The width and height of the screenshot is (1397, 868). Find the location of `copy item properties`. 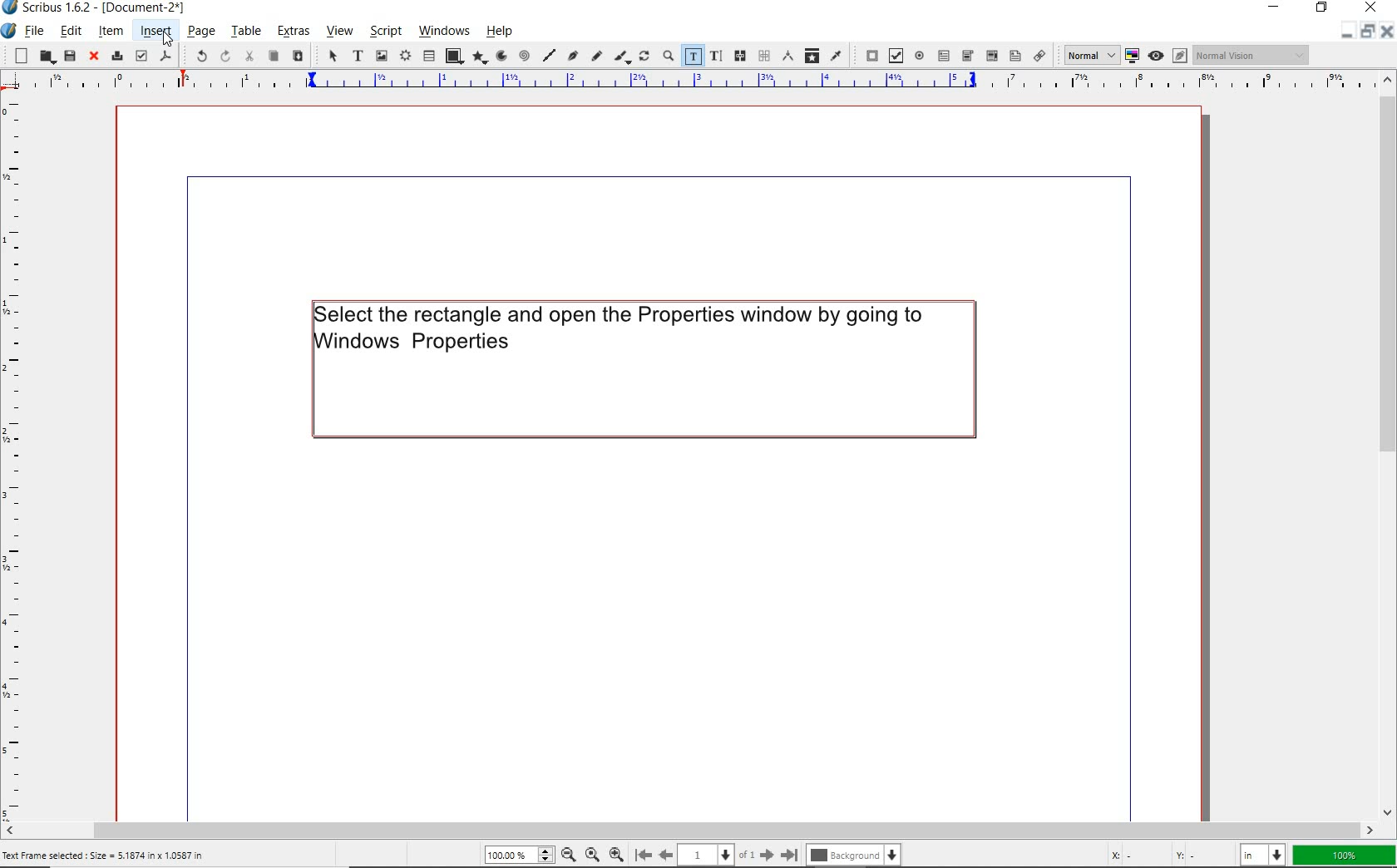

copy item properties is located at coordinates (812, 55).